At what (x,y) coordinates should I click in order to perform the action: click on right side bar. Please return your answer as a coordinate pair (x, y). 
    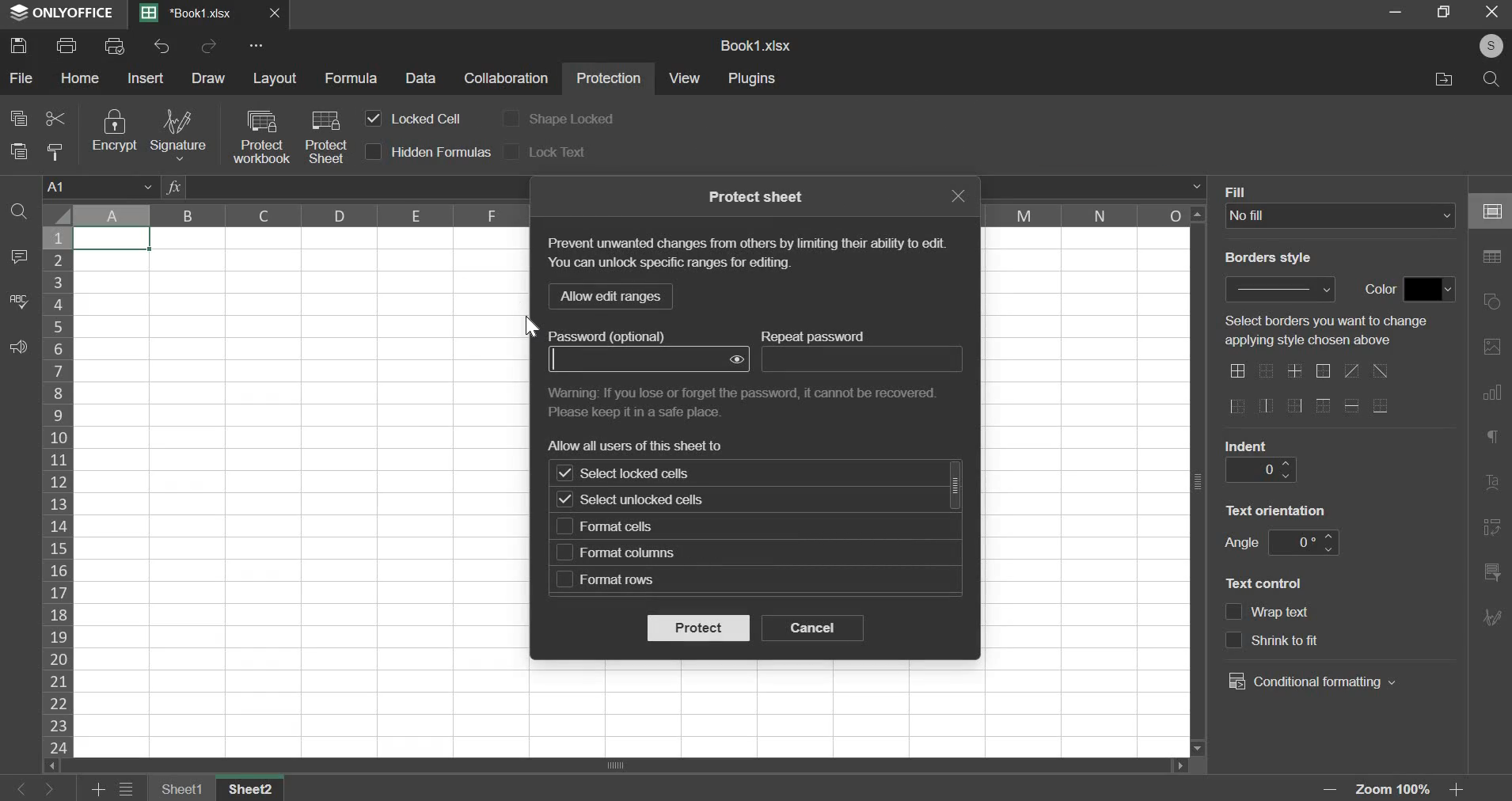
    Looking at the image, I should click on (1492, 302).